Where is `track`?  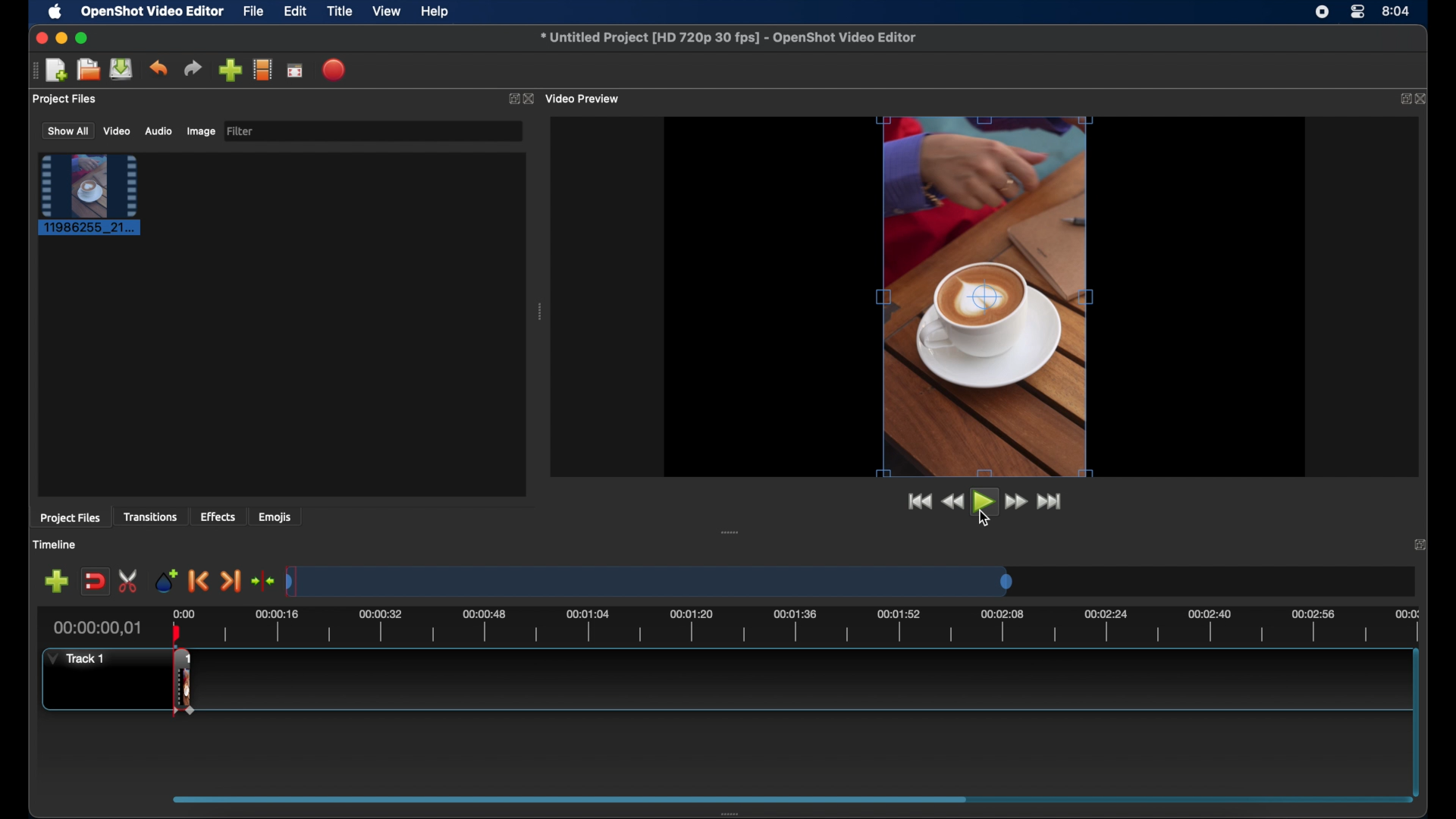 track is located at coordinates (184, 682).